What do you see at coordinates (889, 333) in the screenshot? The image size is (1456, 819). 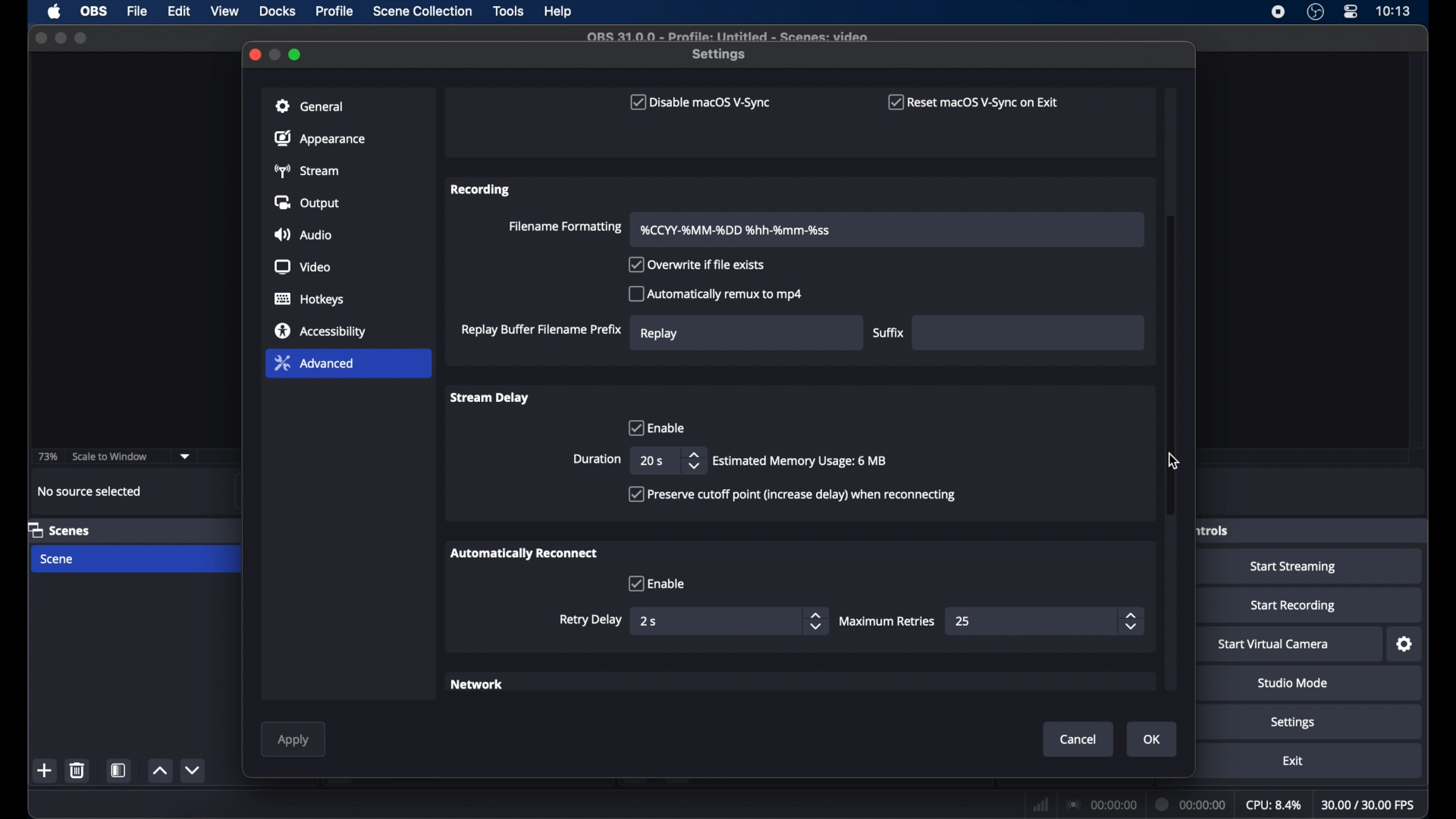 I see `suffix` at bounding box center [889, 333].